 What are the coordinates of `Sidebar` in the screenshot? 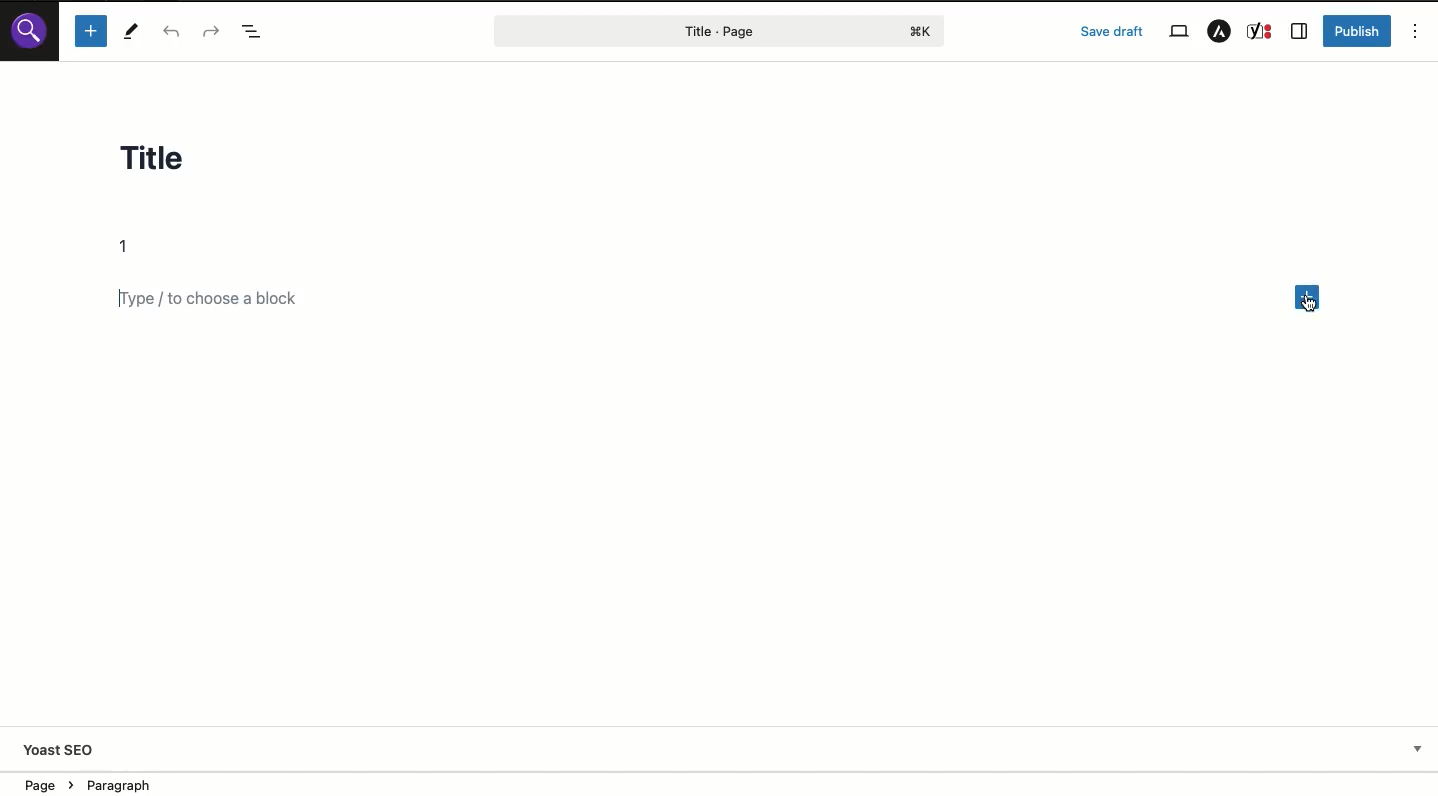 It's located at (1299, 32).